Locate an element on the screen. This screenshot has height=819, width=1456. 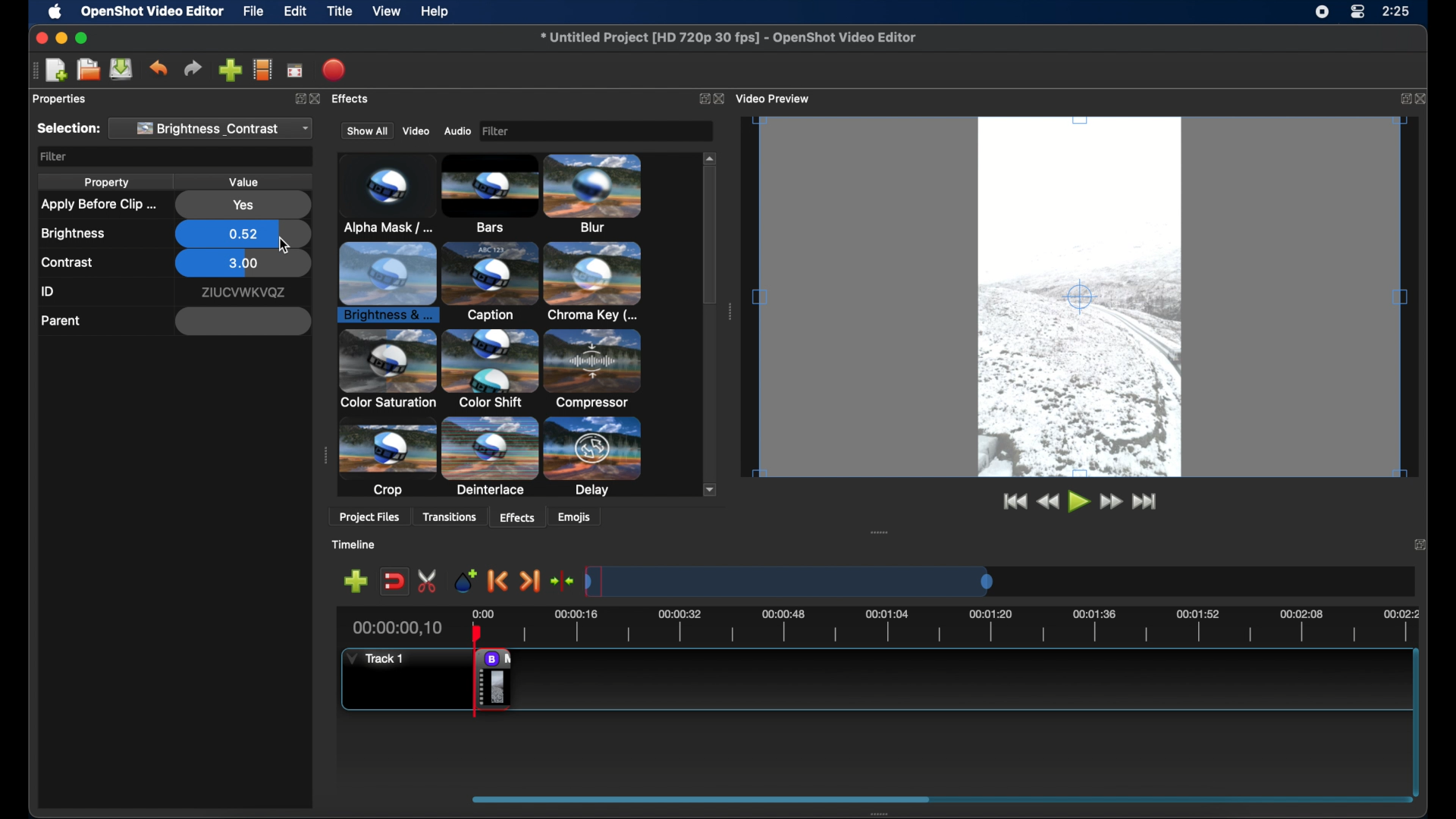
yes is located at coordinates (243, 206).